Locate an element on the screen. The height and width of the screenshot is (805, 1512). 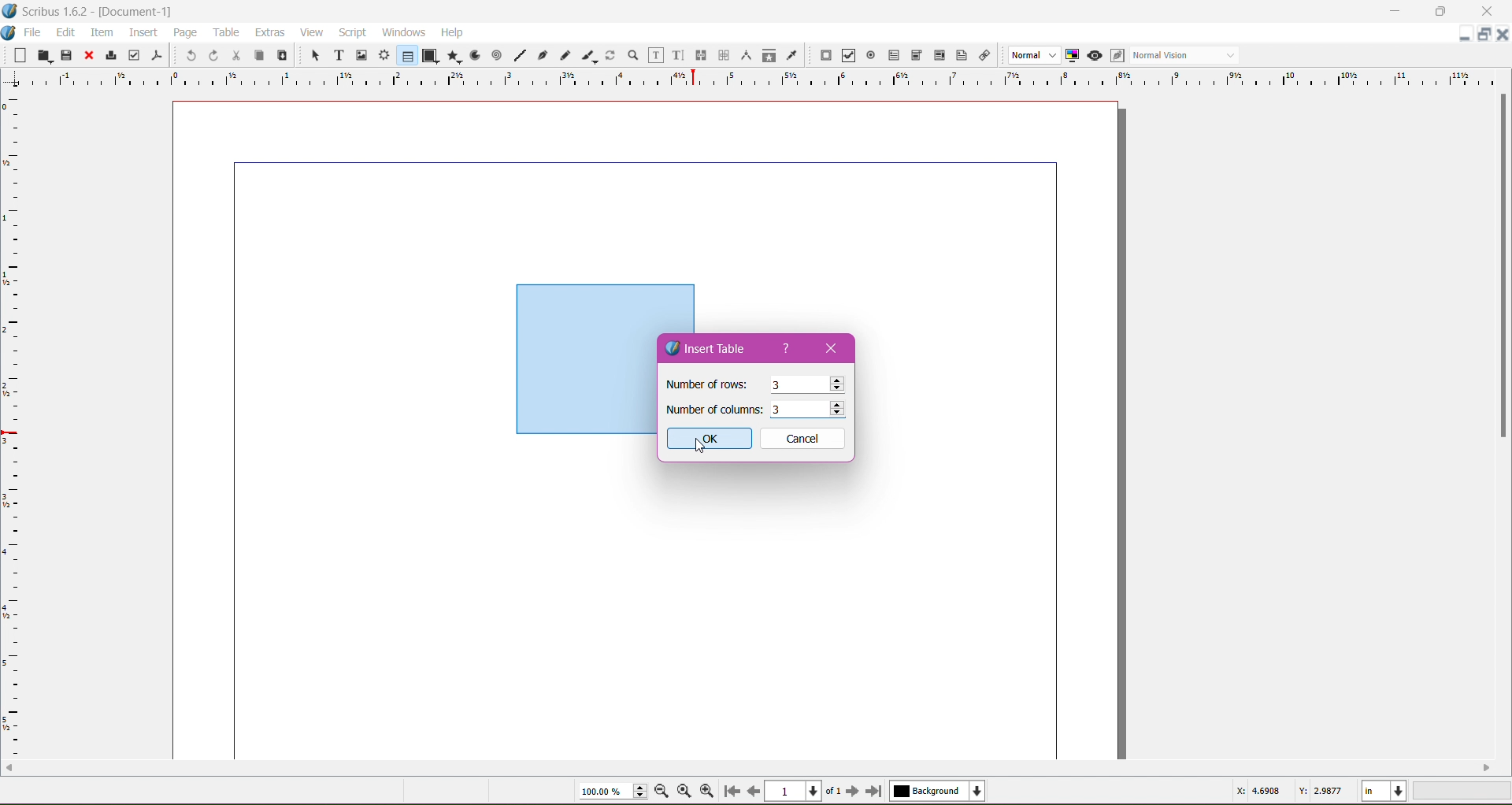
Pdf List Box is located at coordinates (937, 56).